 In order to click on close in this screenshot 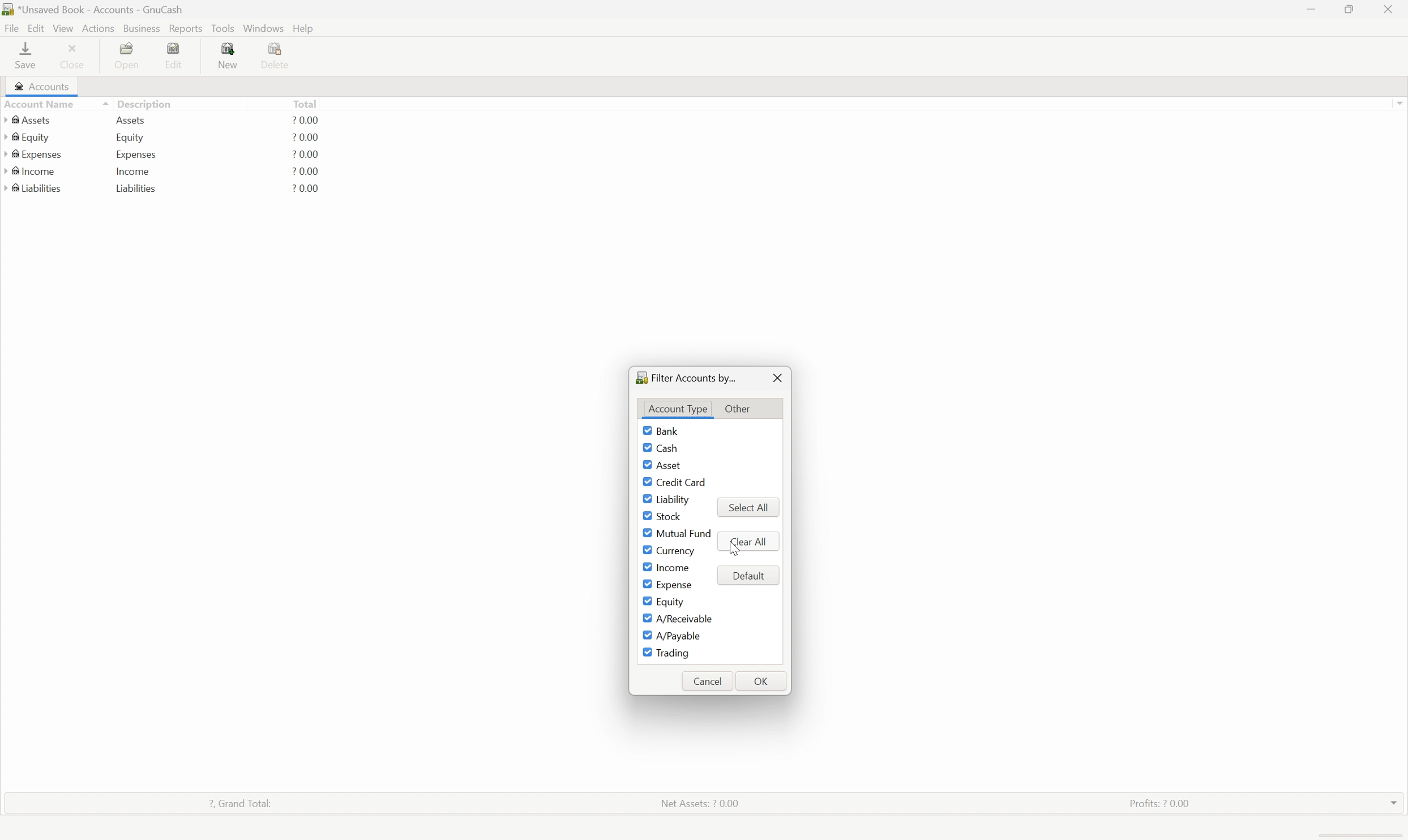, I will do `click(1389, 9)`.